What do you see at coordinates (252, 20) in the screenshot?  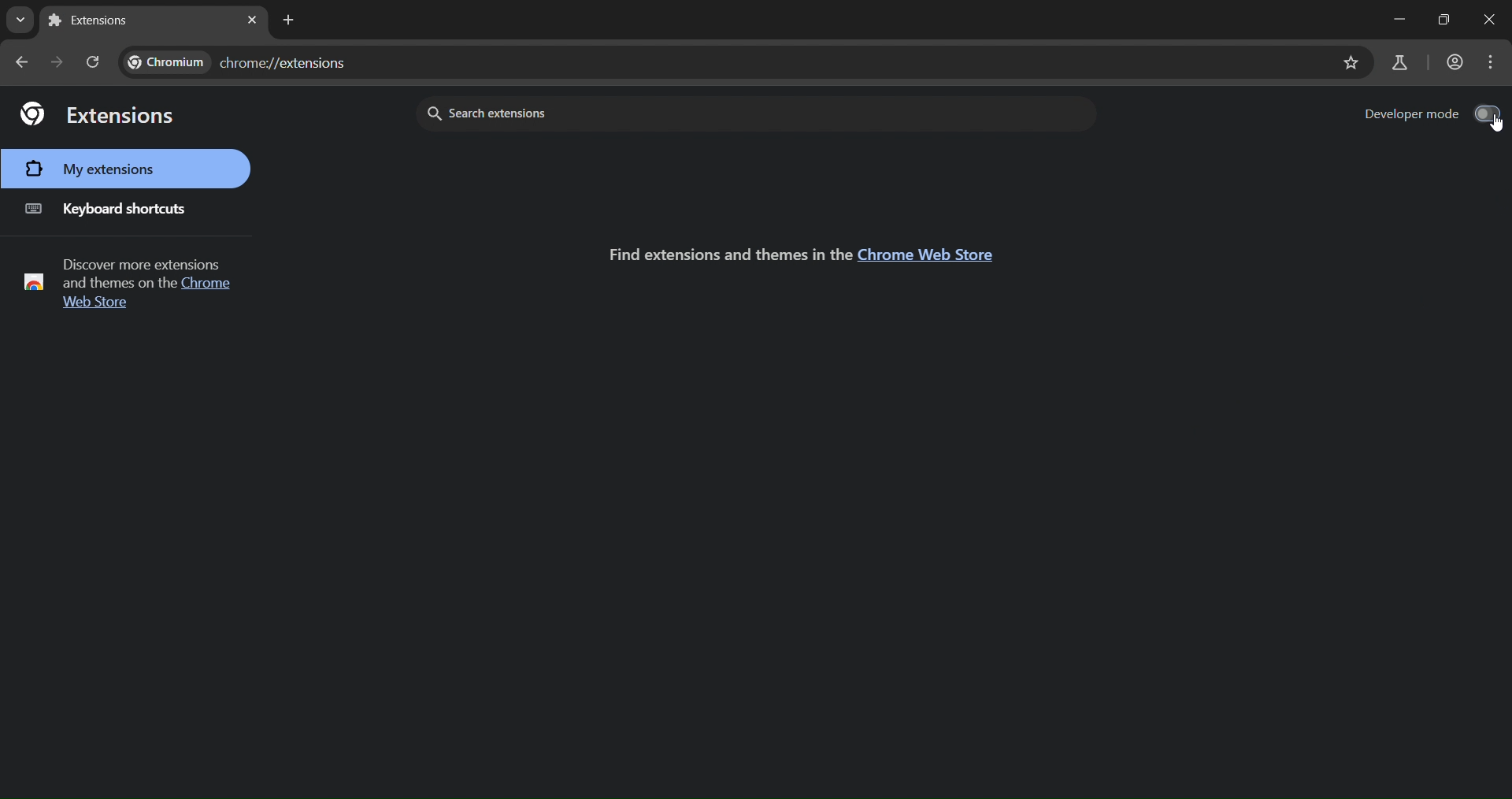 I see `close tab` at bounding box center [252, 20].